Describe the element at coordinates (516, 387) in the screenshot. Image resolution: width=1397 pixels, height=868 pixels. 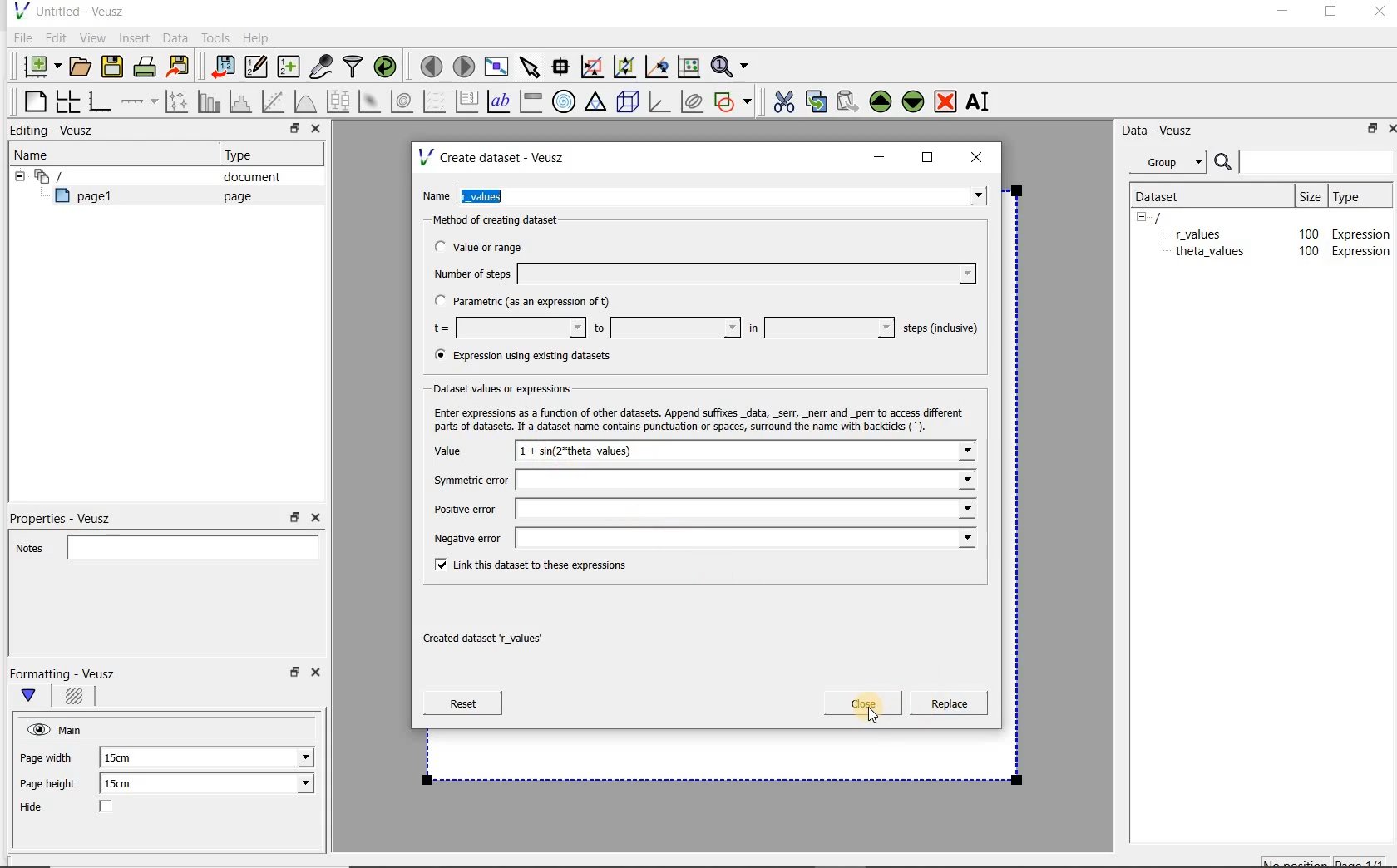
I see `Dataset values or expressions` at that location.